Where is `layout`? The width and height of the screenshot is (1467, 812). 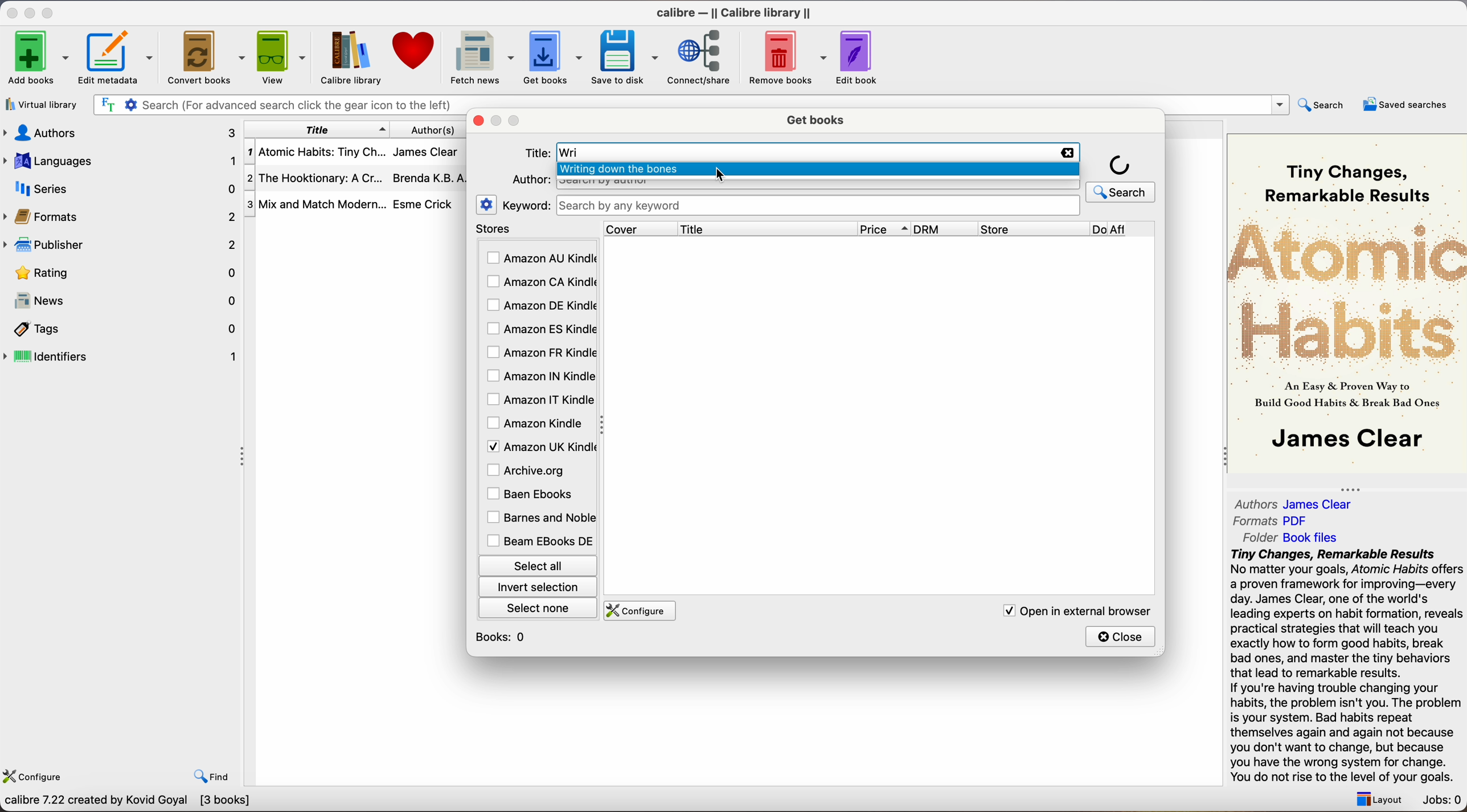 layout is located at coordinates (1376, 799).